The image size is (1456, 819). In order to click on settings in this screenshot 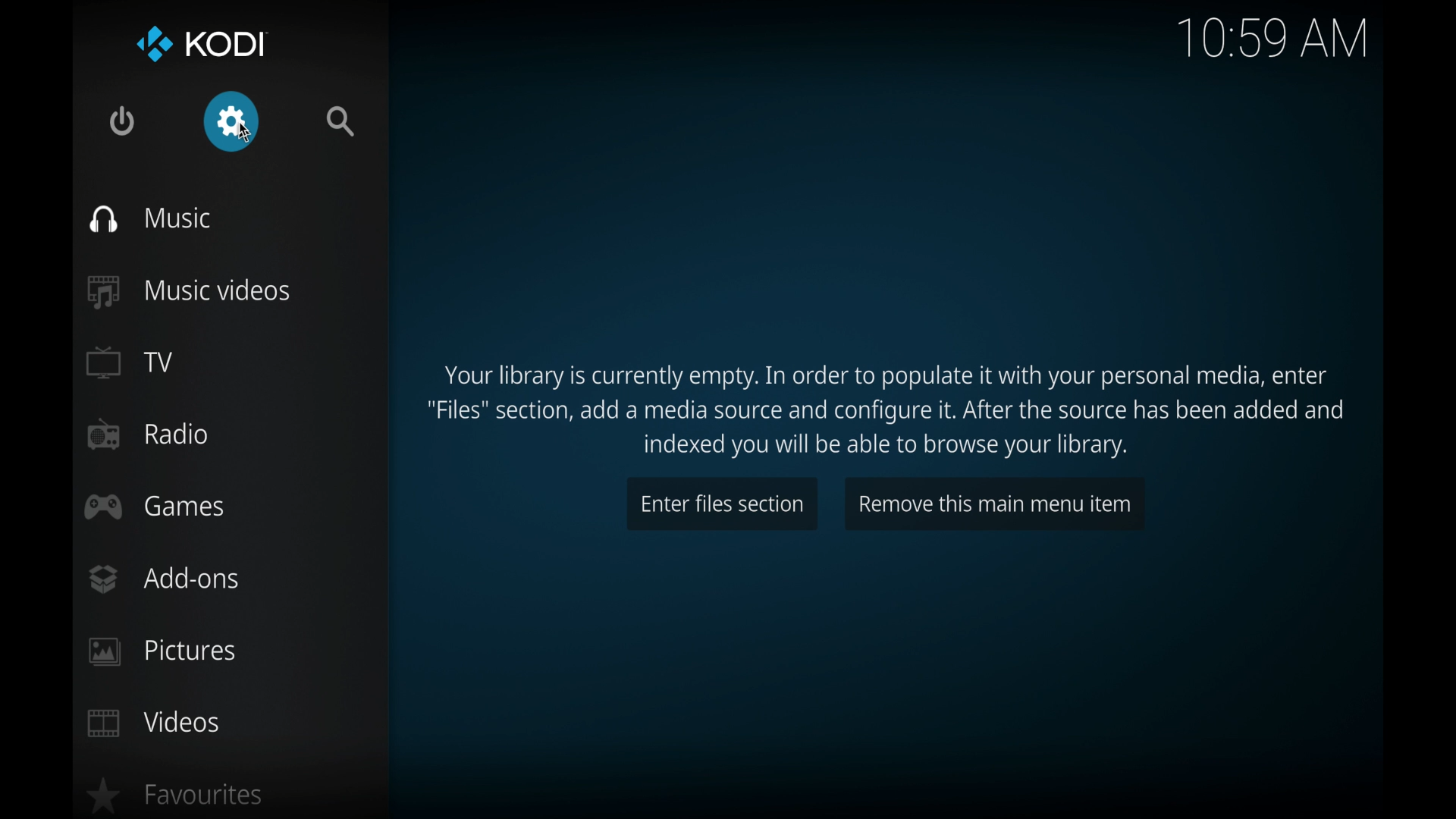, I will do `click(231, 122)`.